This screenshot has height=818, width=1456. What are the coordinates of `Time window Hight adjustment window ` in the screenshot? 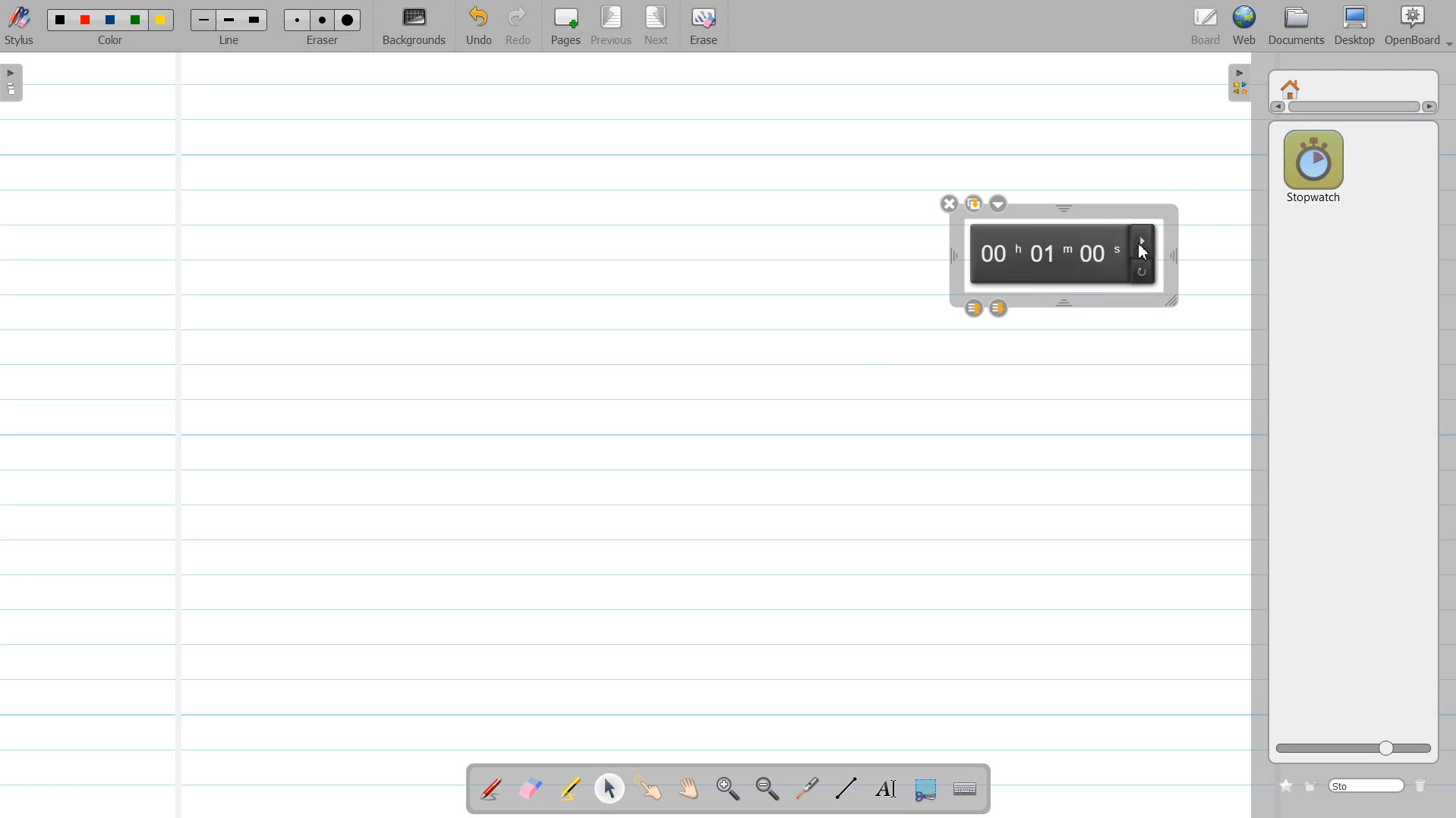 It's located at (1064, 209).